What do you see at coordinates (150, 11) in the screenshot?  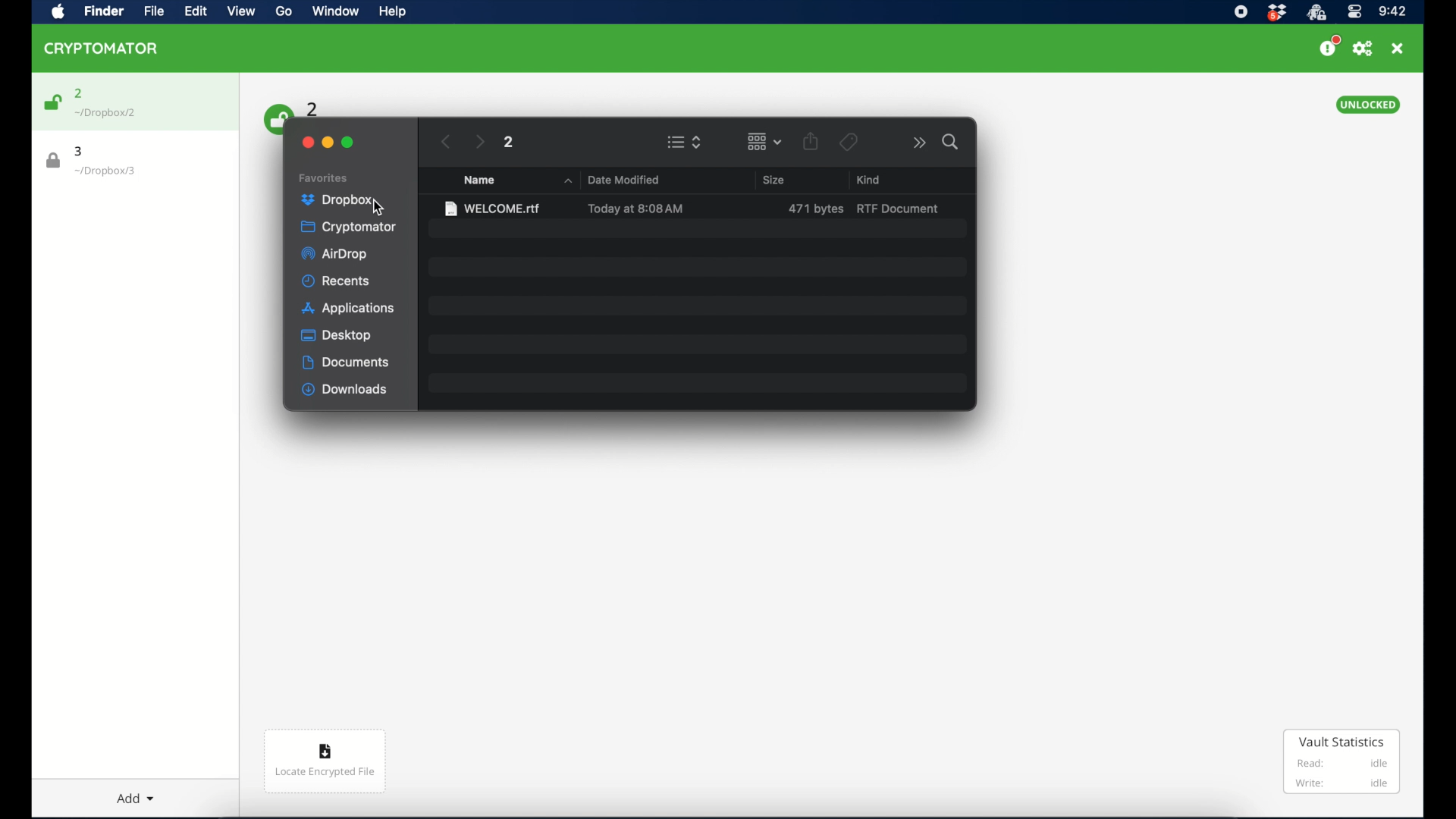 I see `file` at bounding box center [150, 11].